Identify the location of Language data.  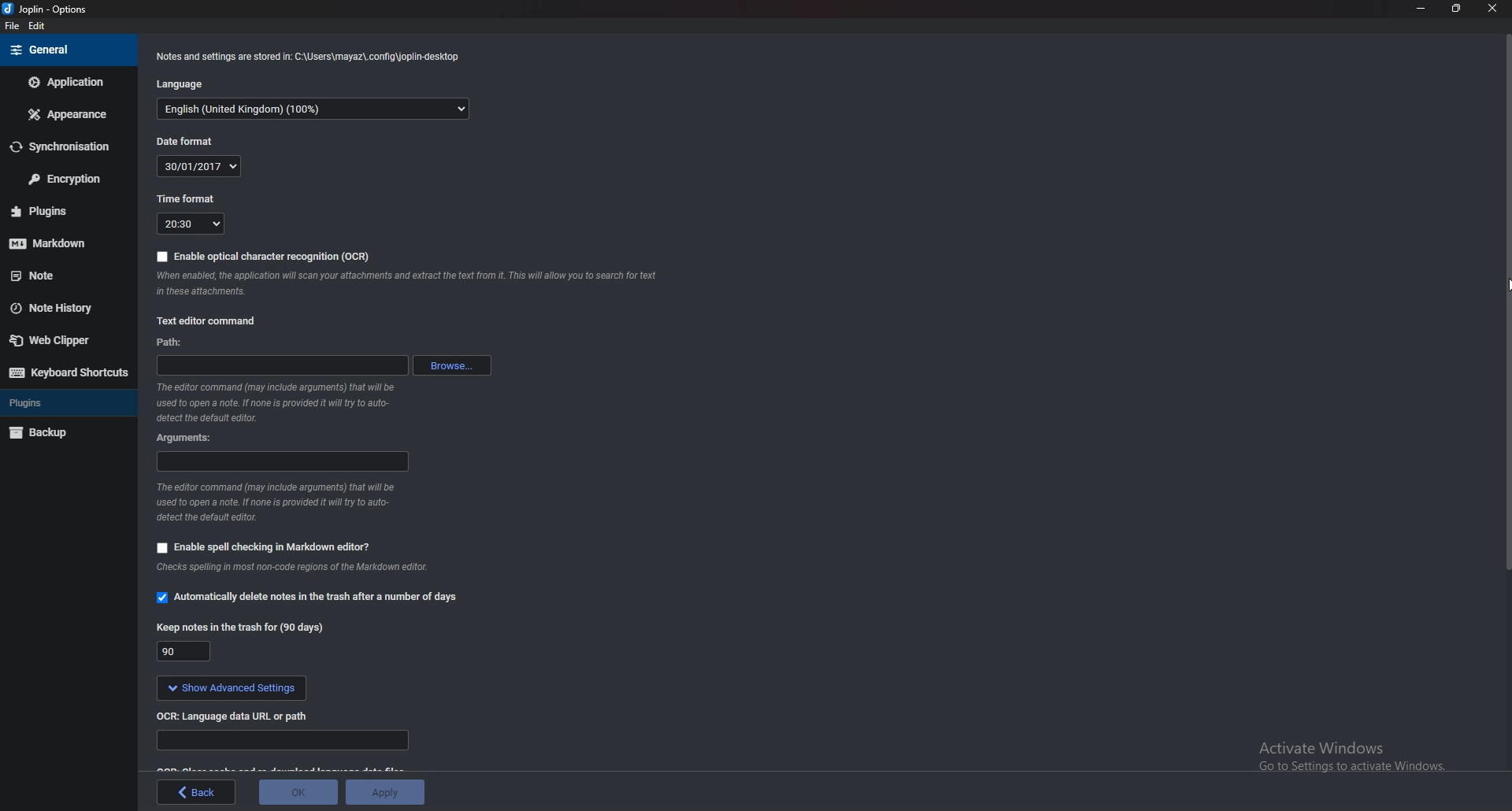
(270, 738).